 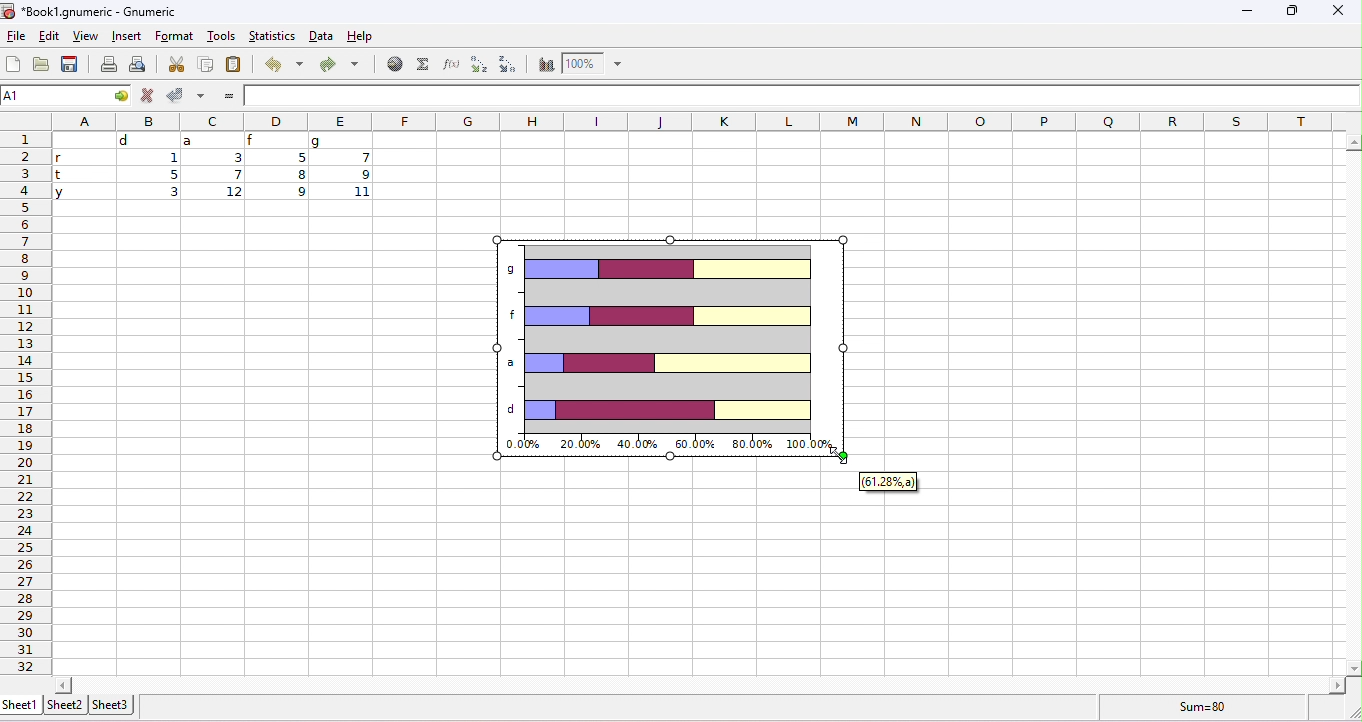 What do you see at coordinates (1198, 707) in the screenshot?
I see `formula` at bounding box center [1198, 707].